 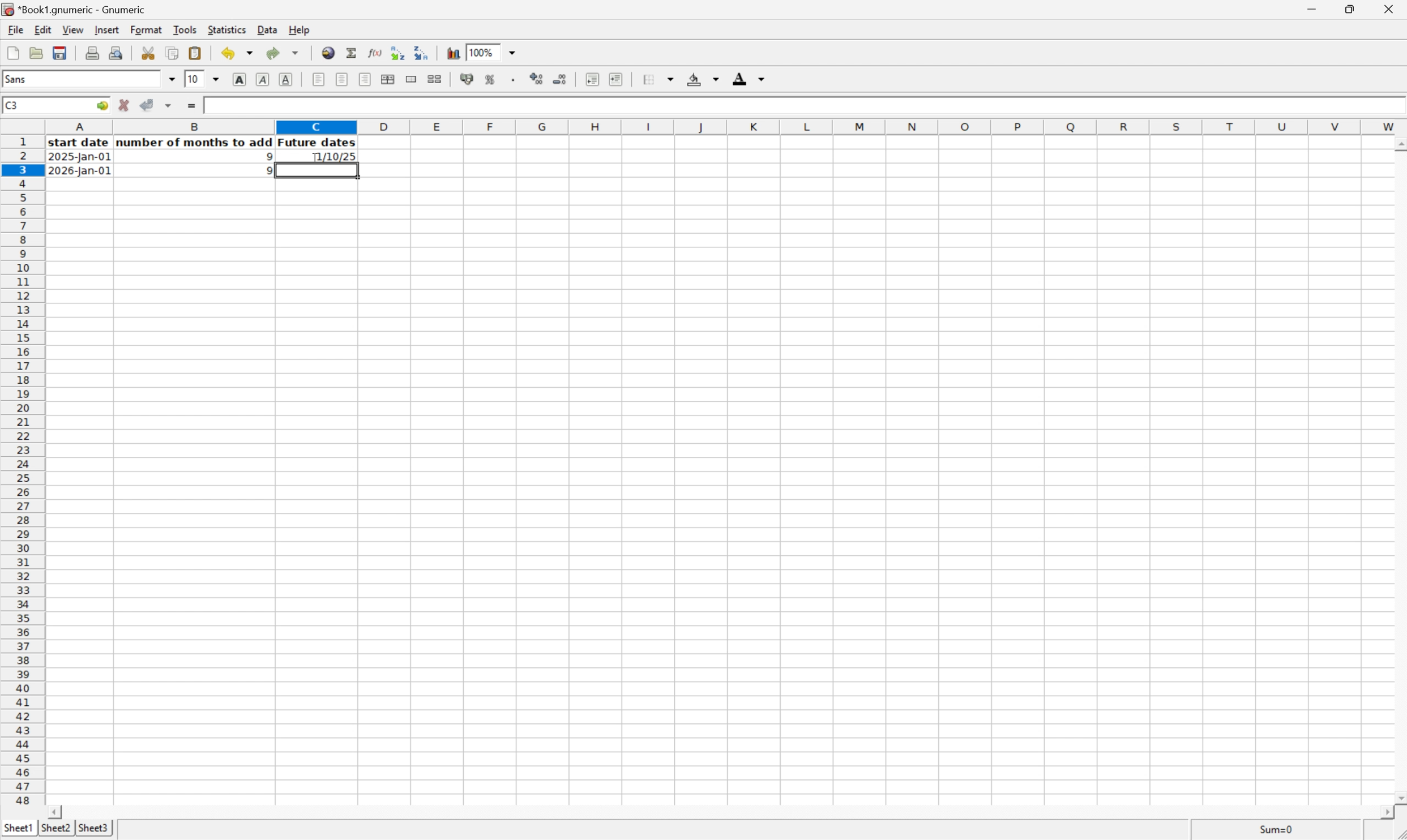 What do you see at coordinates (22, 471) in the screenshot?
I see `Row numbers` at bounding box center [22, 471].